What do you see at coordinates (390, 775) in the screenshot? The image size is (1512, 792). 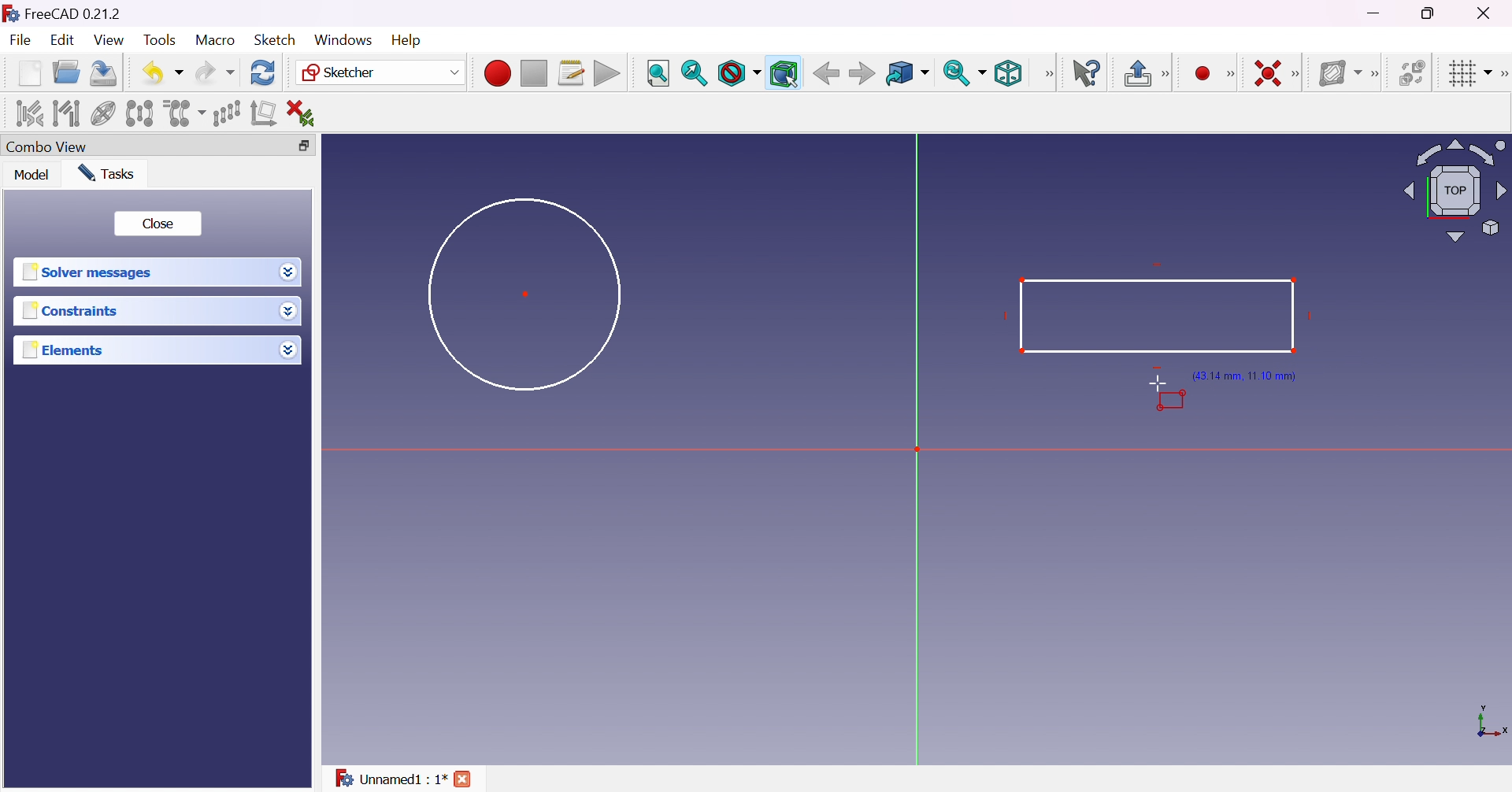 I see `Unnamed : 1*` at bounding box center [390, 775].